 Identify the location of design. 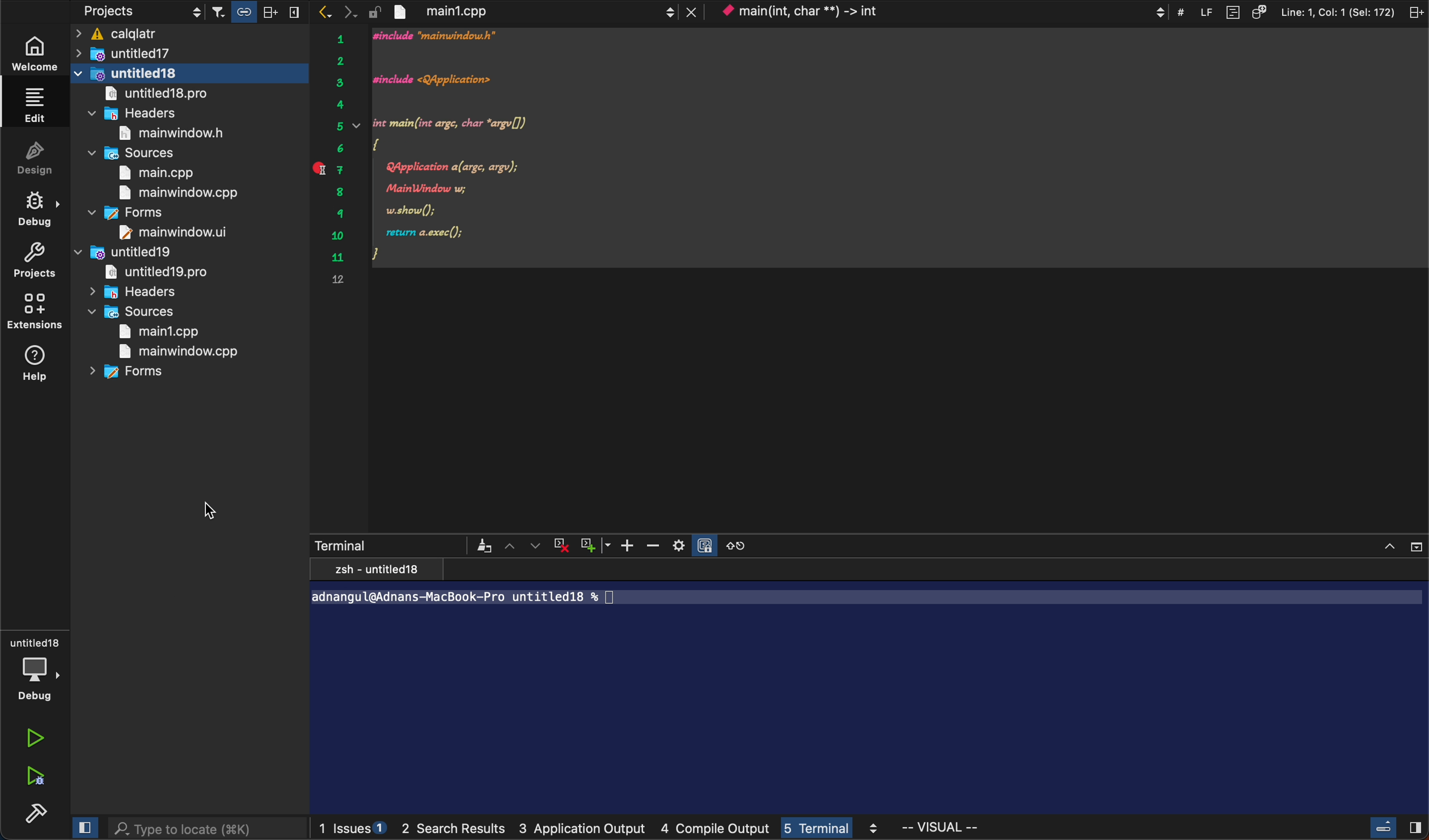
(34, 158).